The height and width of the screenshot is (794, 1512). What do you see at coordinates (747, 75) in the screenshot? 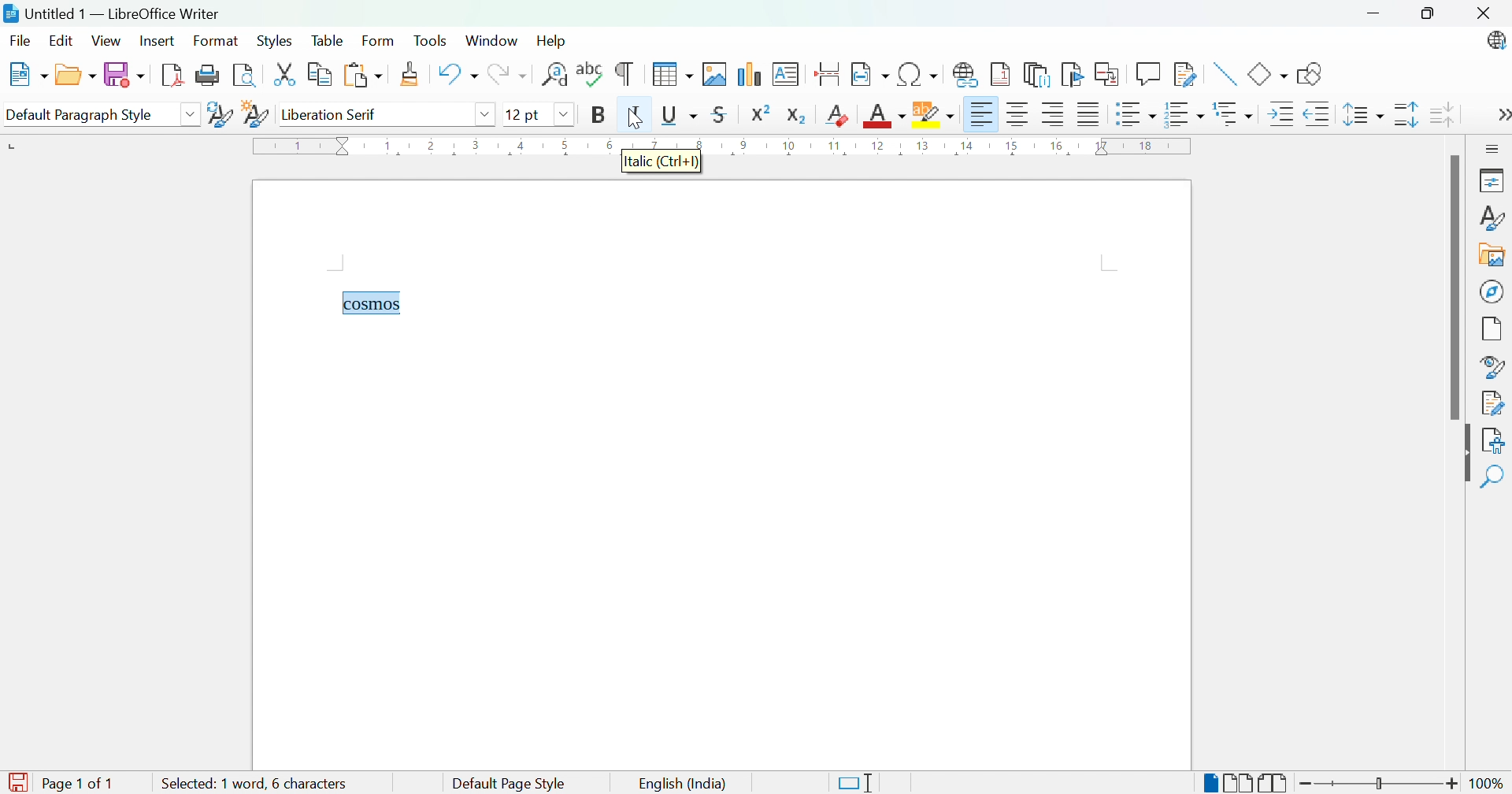
I see `Insert chart` at bounding box center [747, 75].